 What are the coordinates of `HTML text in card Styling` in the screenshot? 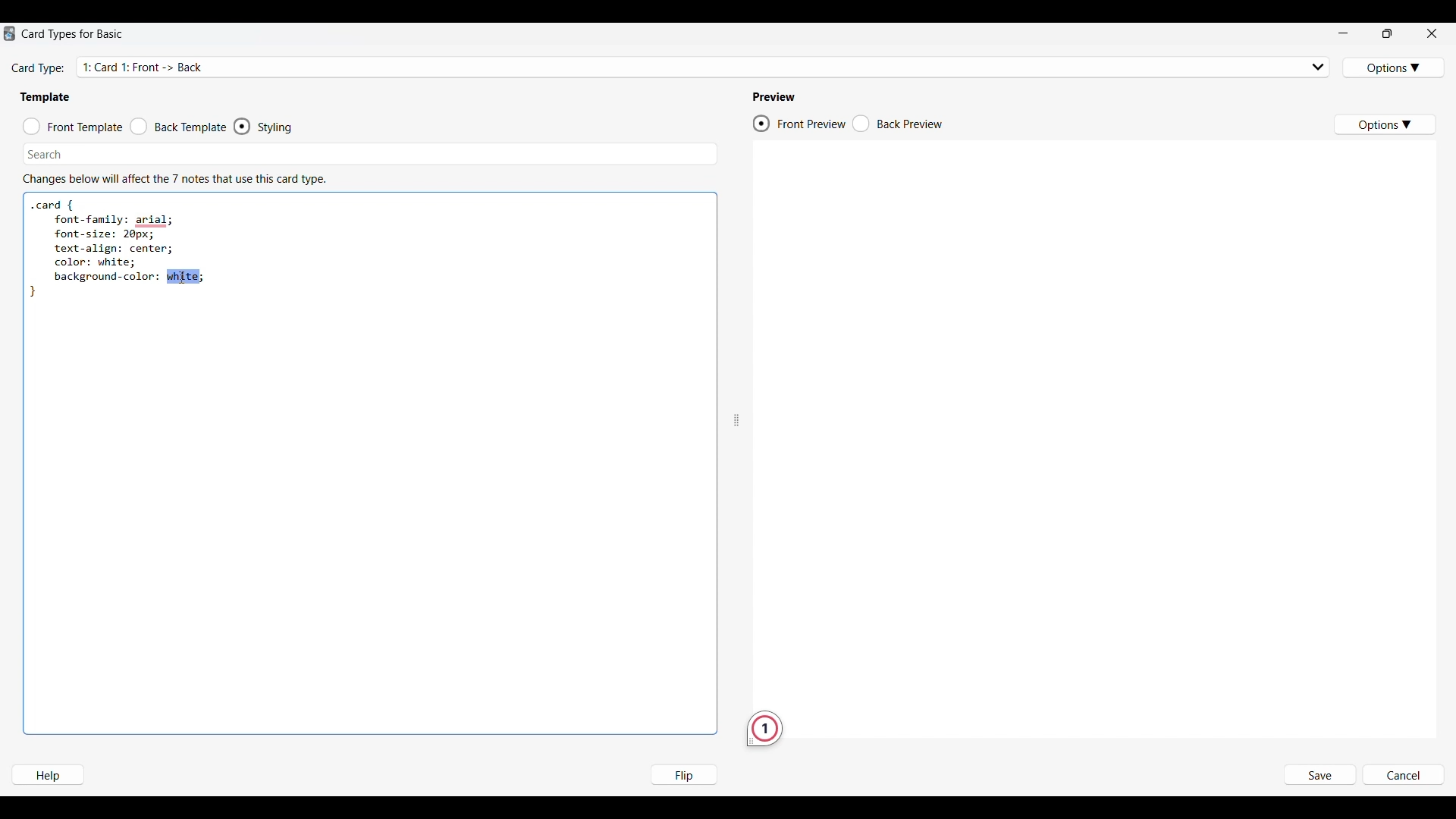 It's located at (118, 249).